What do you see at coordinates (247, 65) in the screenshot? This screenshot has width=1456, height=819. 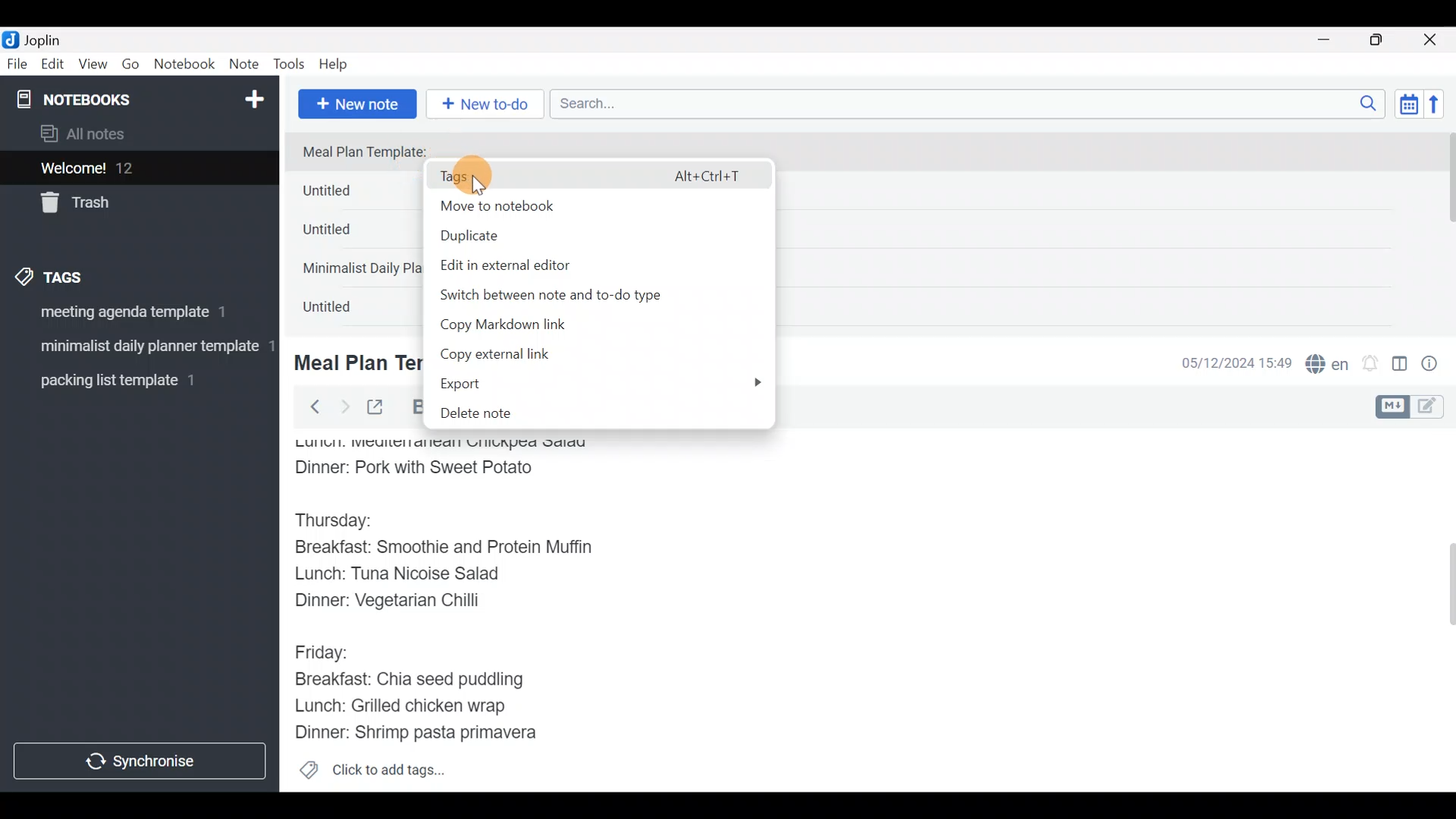 I see `Note` at bounding box center [247, 65].